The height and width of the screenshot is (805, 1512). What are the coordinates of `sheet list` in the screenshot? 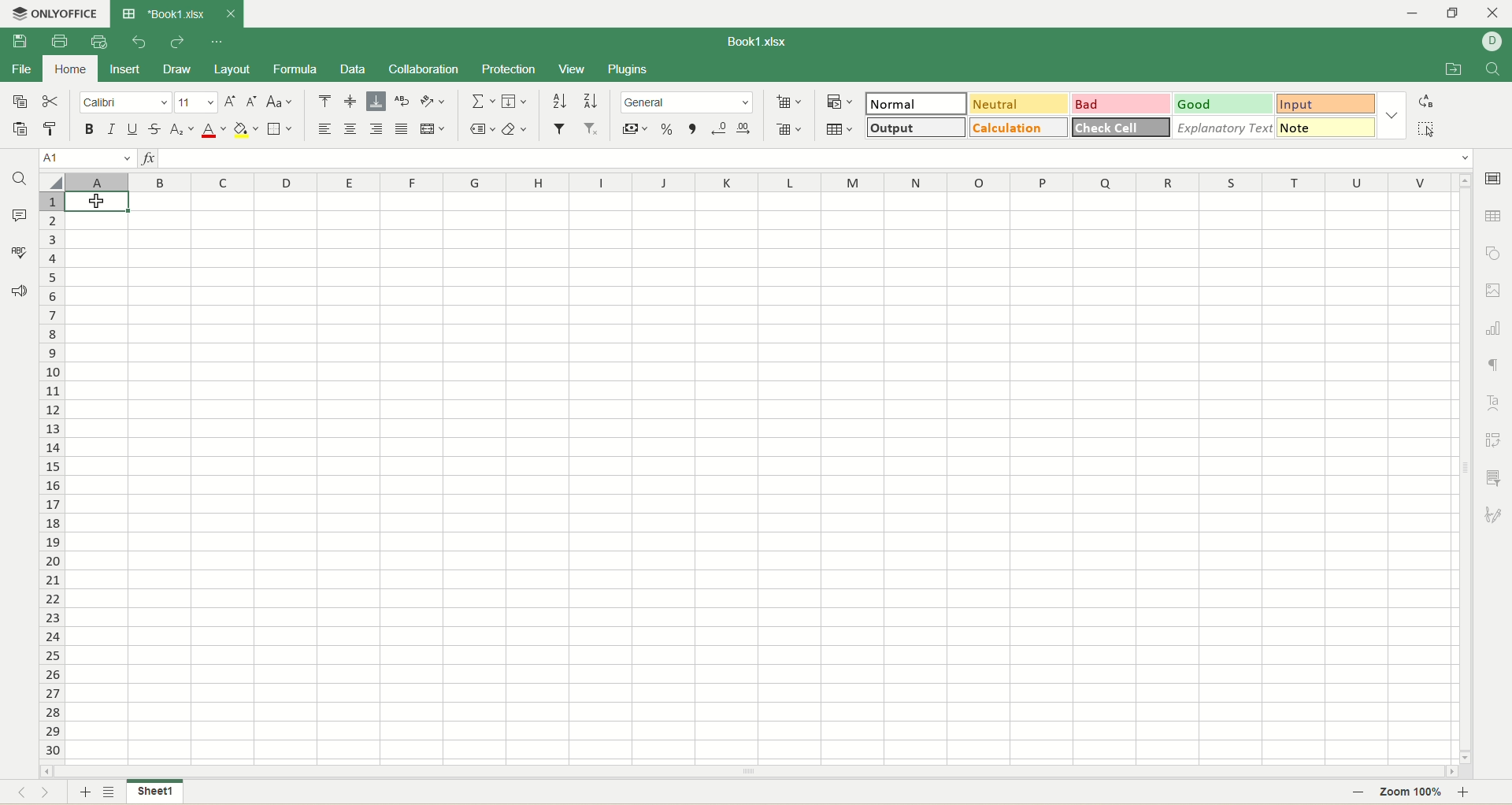 It's located at (111, 793).